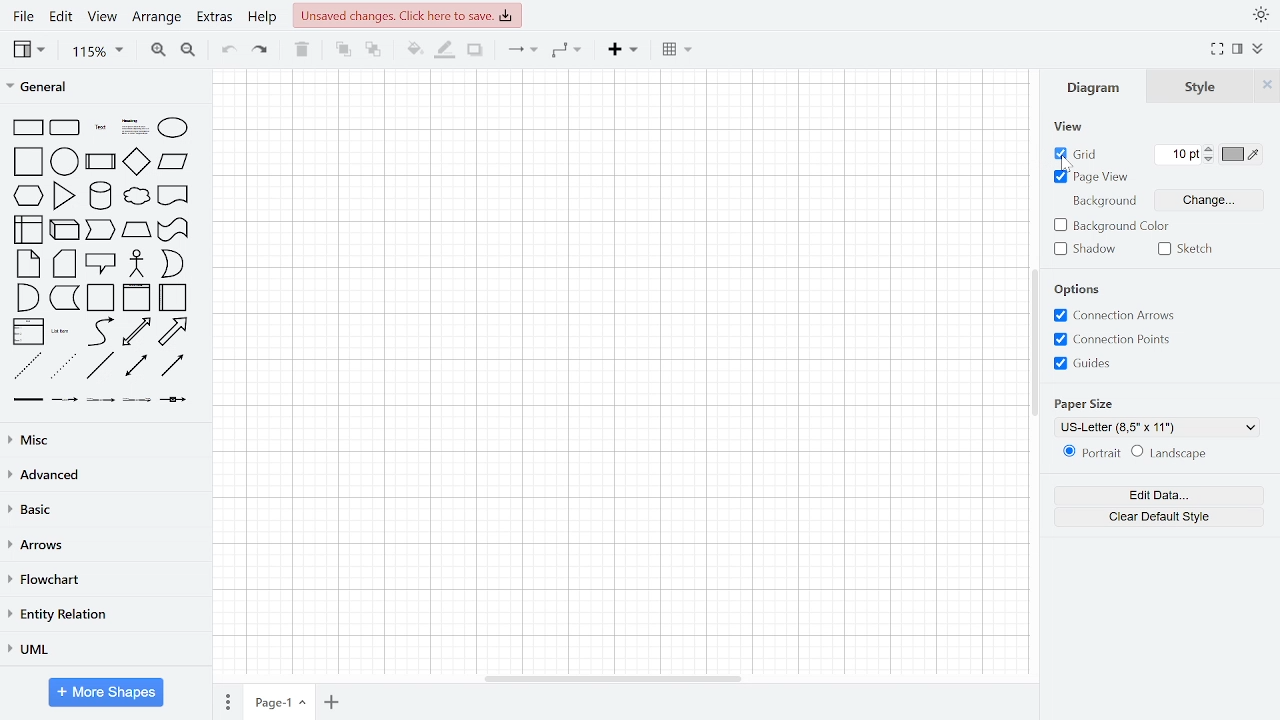 The image size is (1280, 720). What do you see at coordinates (1258, 49) in the screenshot?
I see `collapse` at bounding box center [1258, 49].